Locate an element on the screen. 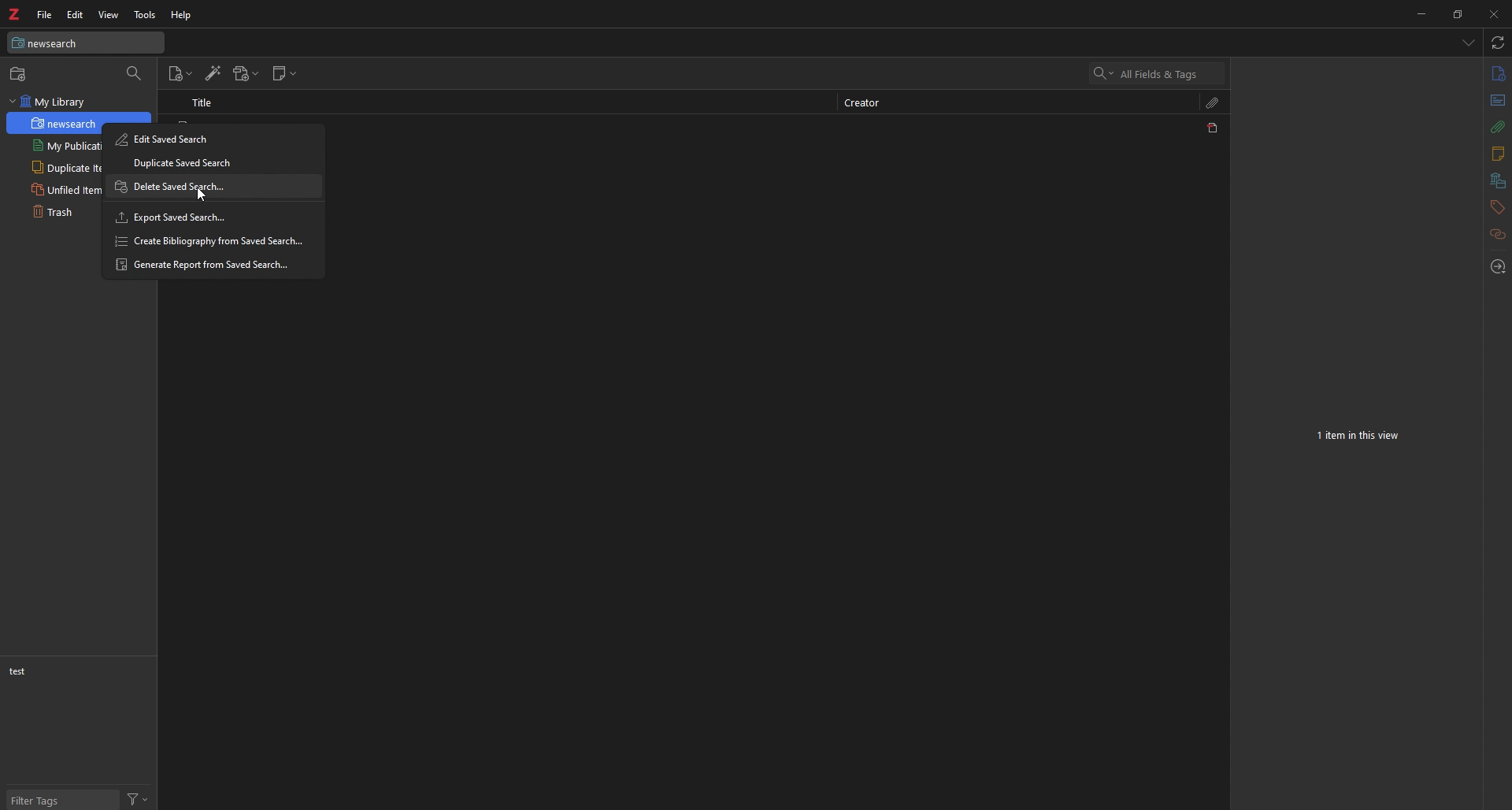  Create Bibliography from Saved Search is located at coordinates (207, 243).